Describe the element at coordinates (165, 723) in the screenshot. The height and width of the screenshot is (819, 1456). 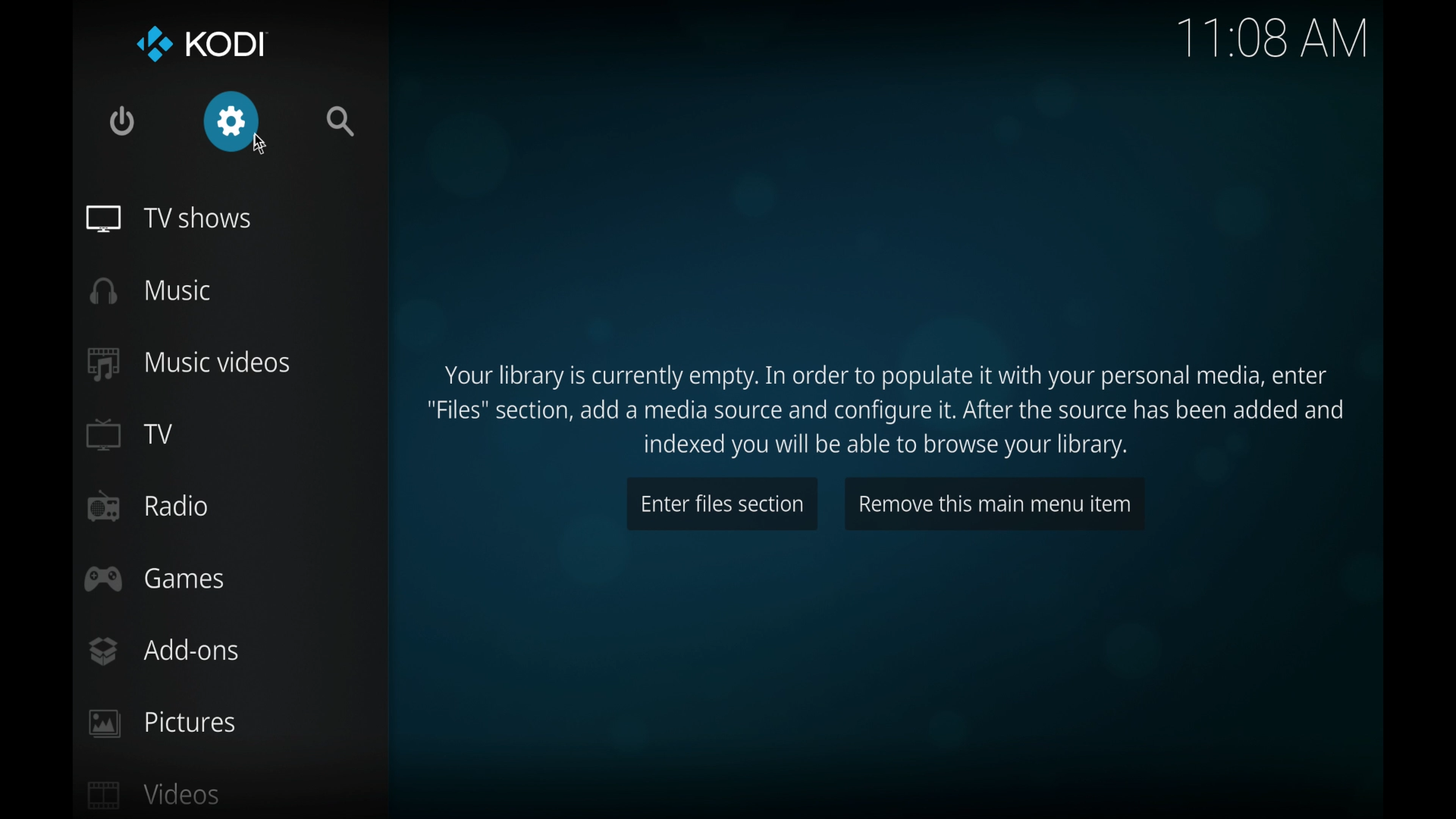
I see `pictures` at that location.